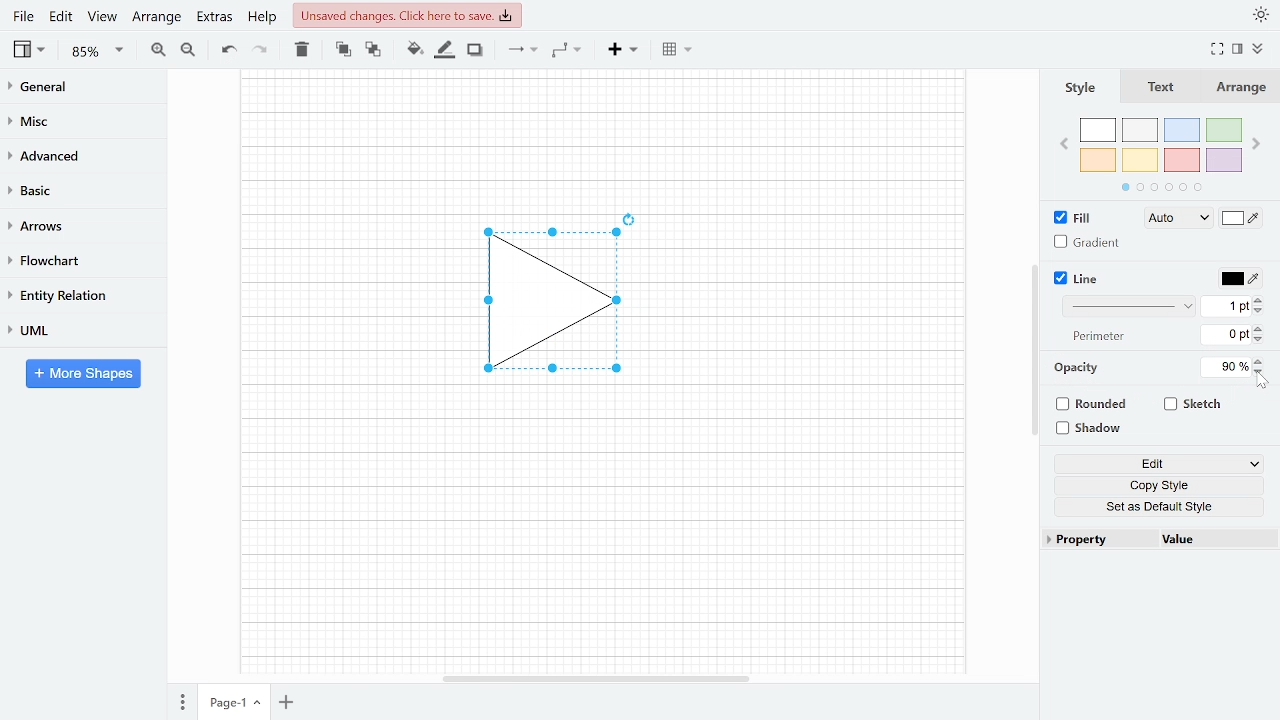 The image size is (1280, 720). I want to click on Theme, so click(1262, 14).